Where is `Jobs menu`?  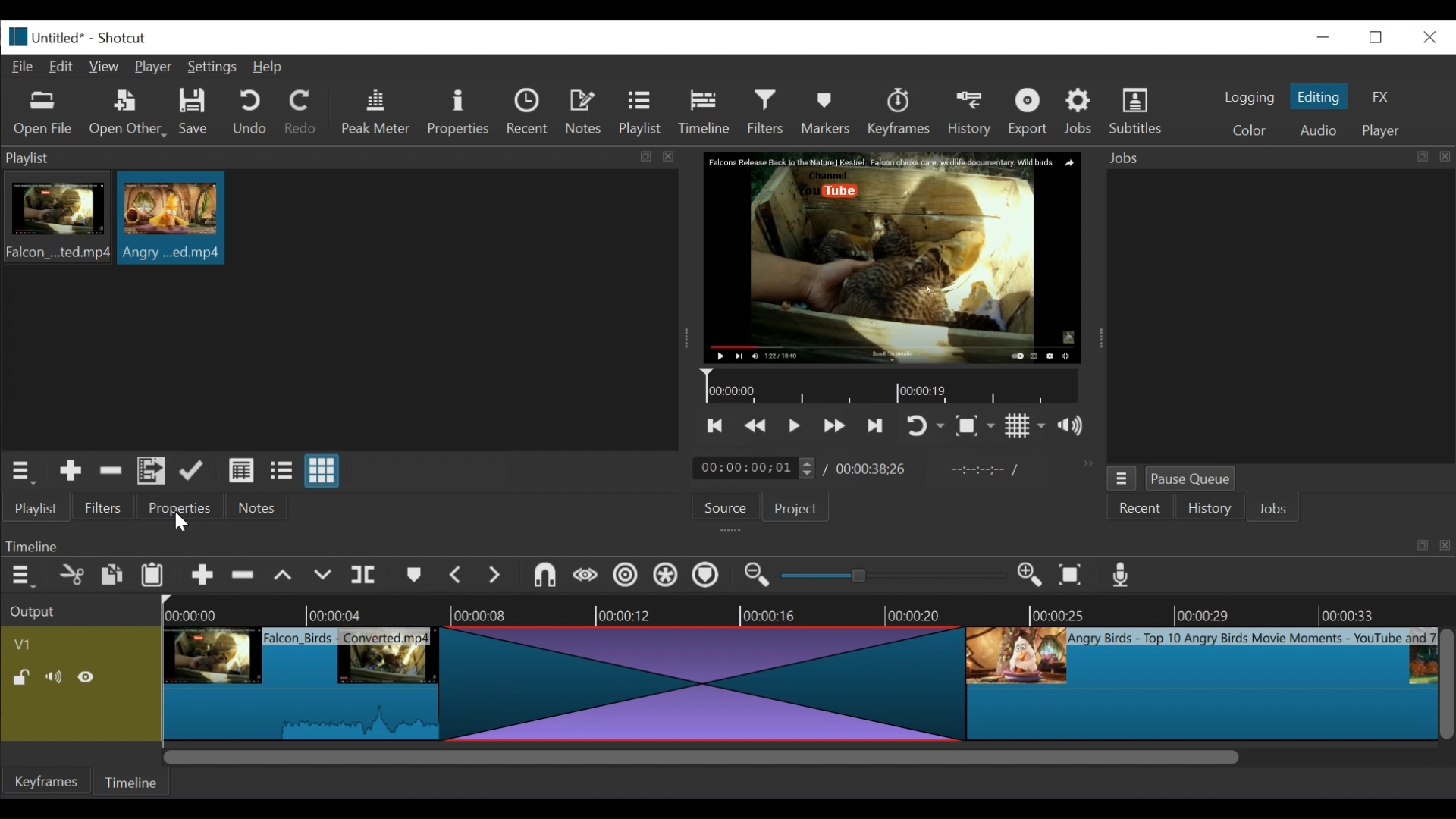
Jobs menu is located at coordinates (1269, 156).